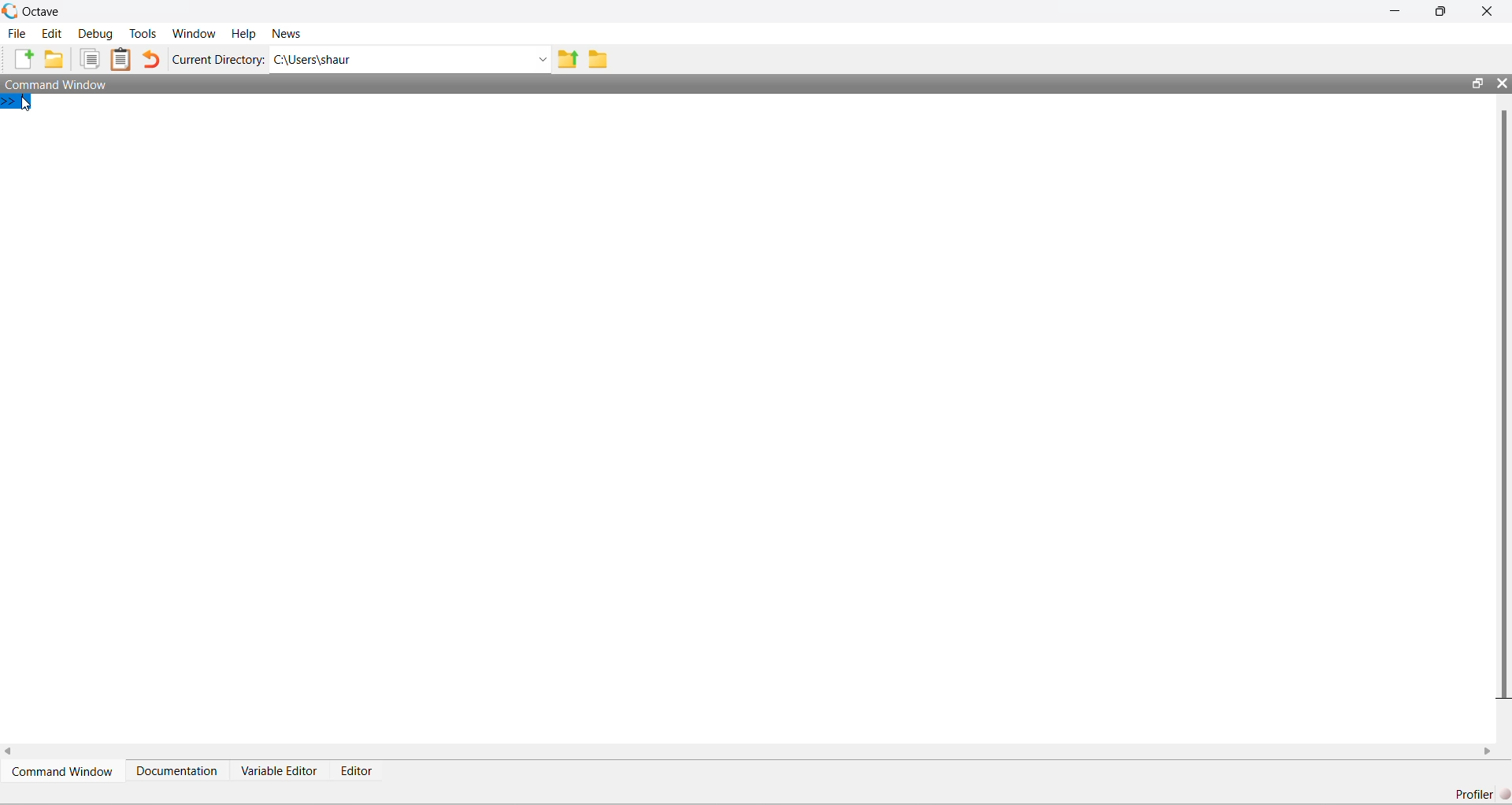 This screenshot has height=805, width=1512. What do you see at coordinates (1501, 83) in the screenshot?
I see `Close` at bounding box center [1501, 83].